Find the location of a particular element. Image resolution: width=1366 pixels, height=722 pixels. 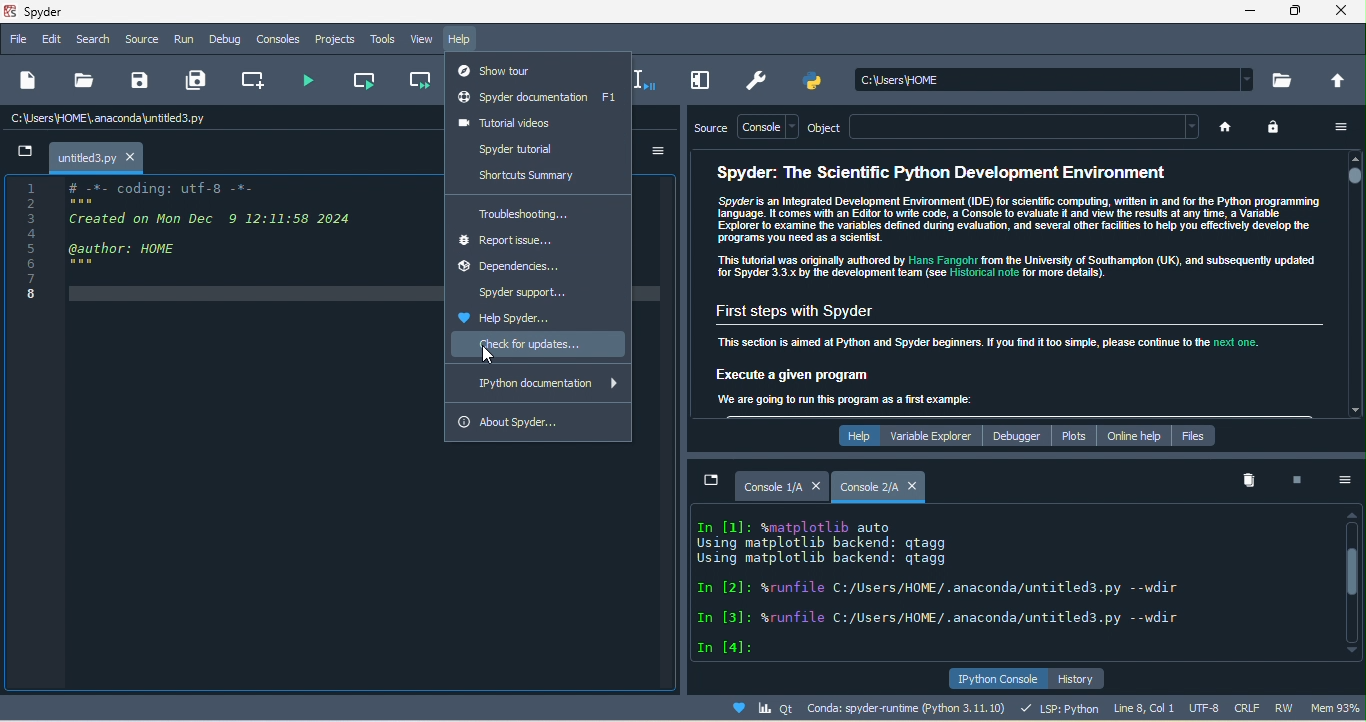

text is located at coordinates (976, 583).